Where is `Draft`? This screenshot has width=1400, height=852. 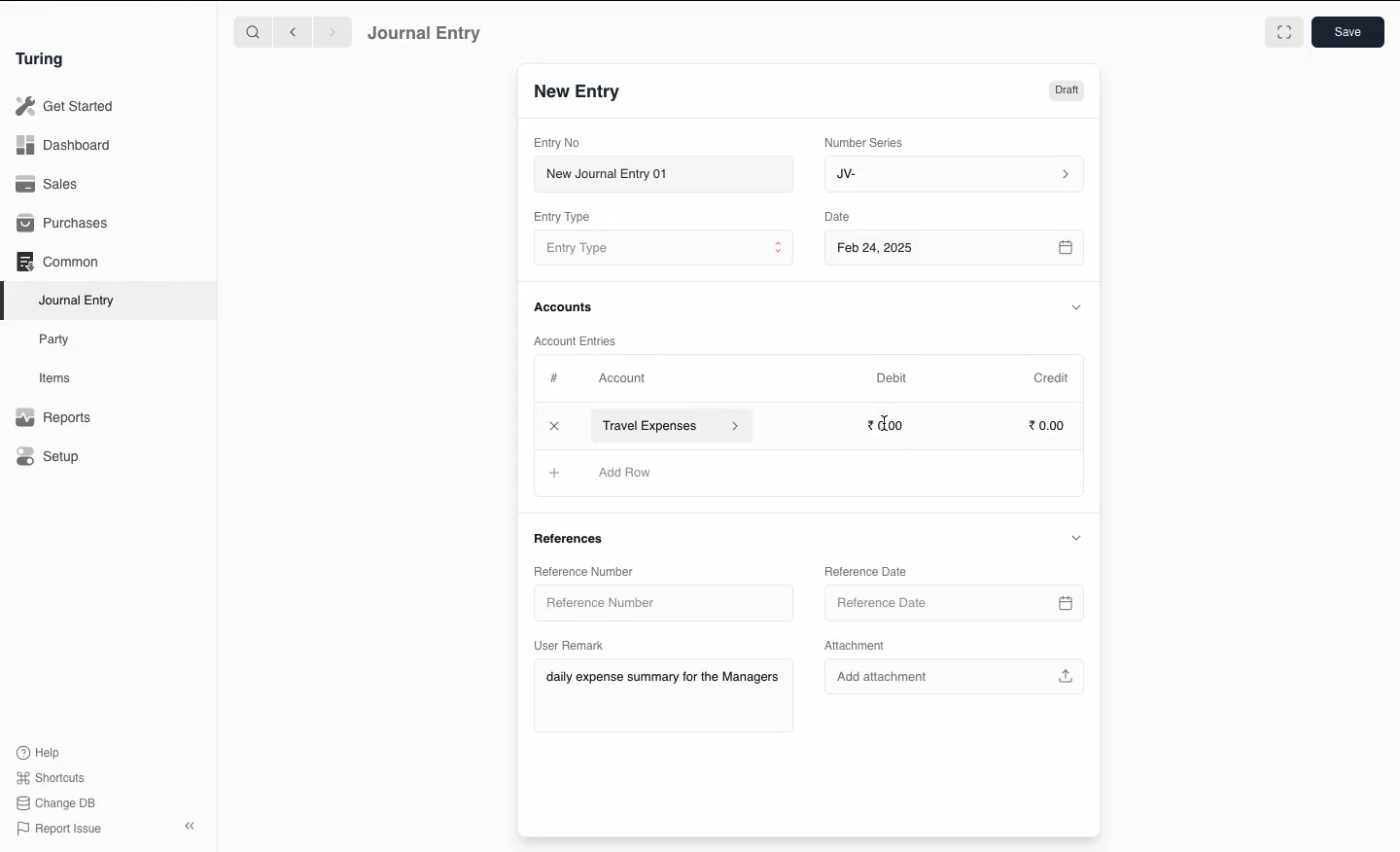 Draft is located at coordinates (1067, 90).